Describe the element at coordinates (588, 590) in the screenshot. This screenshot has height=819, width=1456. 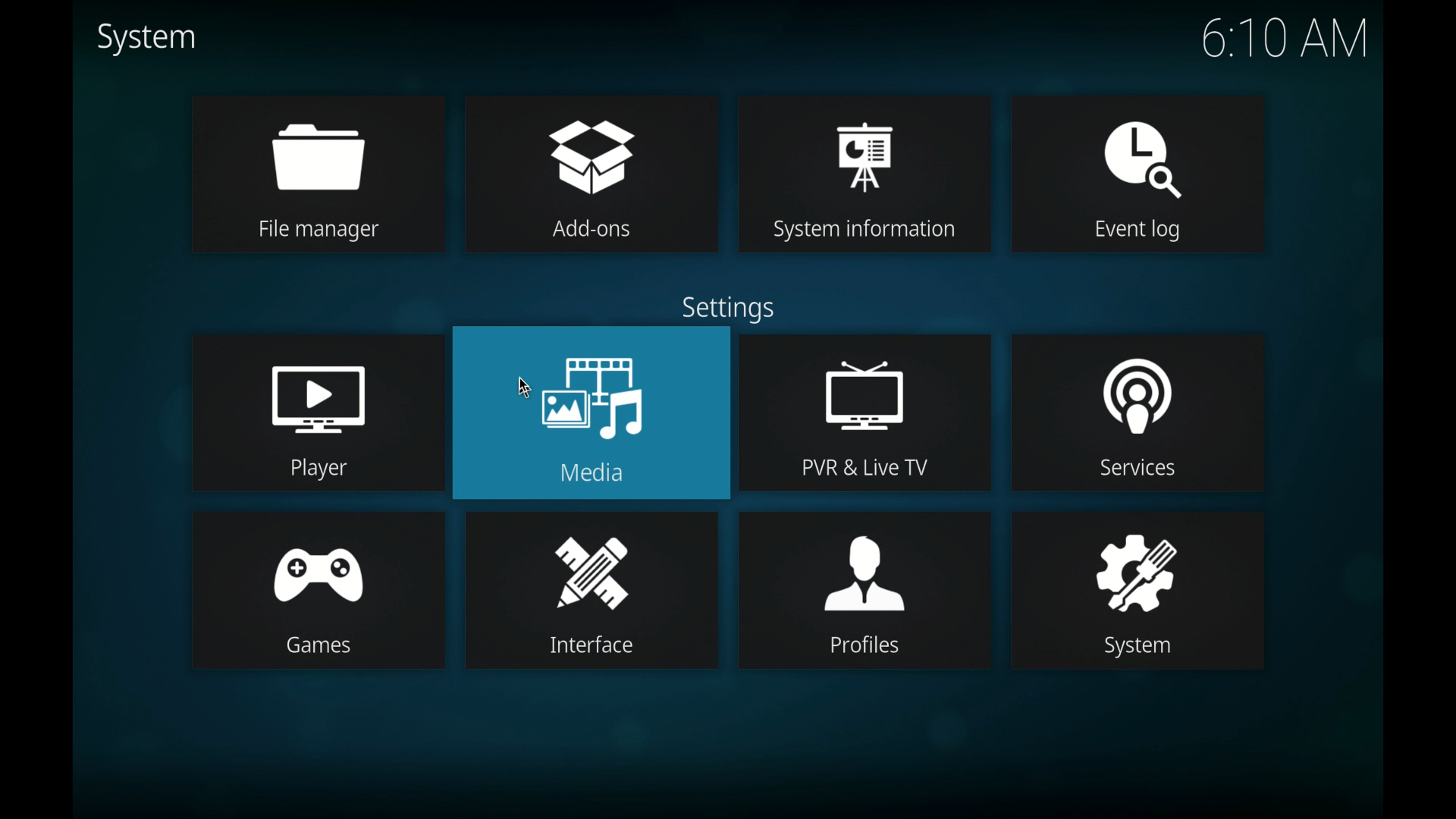
I see `interface` at that location.